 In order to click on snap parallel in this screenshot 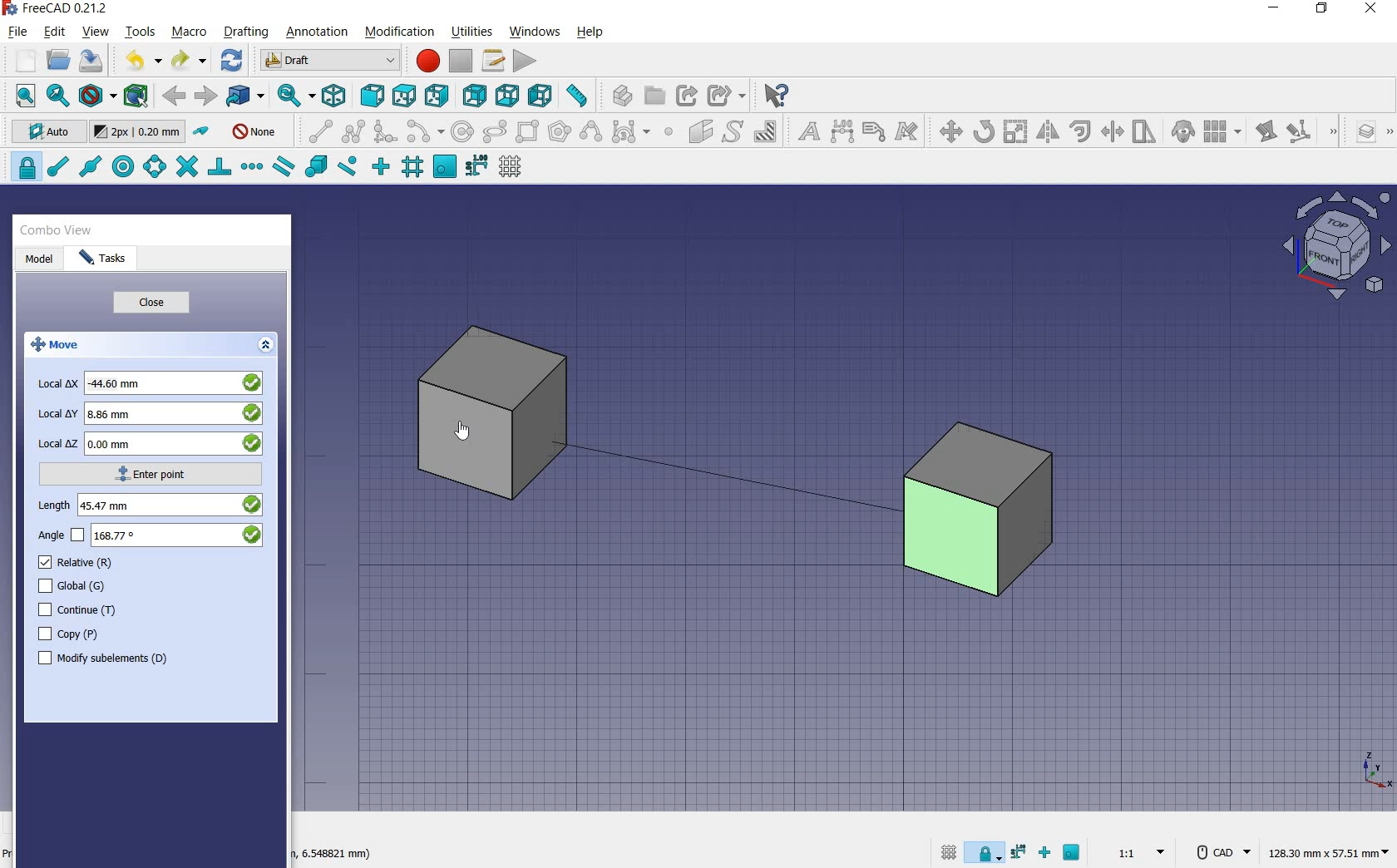, I will do `click(284, 169)`.